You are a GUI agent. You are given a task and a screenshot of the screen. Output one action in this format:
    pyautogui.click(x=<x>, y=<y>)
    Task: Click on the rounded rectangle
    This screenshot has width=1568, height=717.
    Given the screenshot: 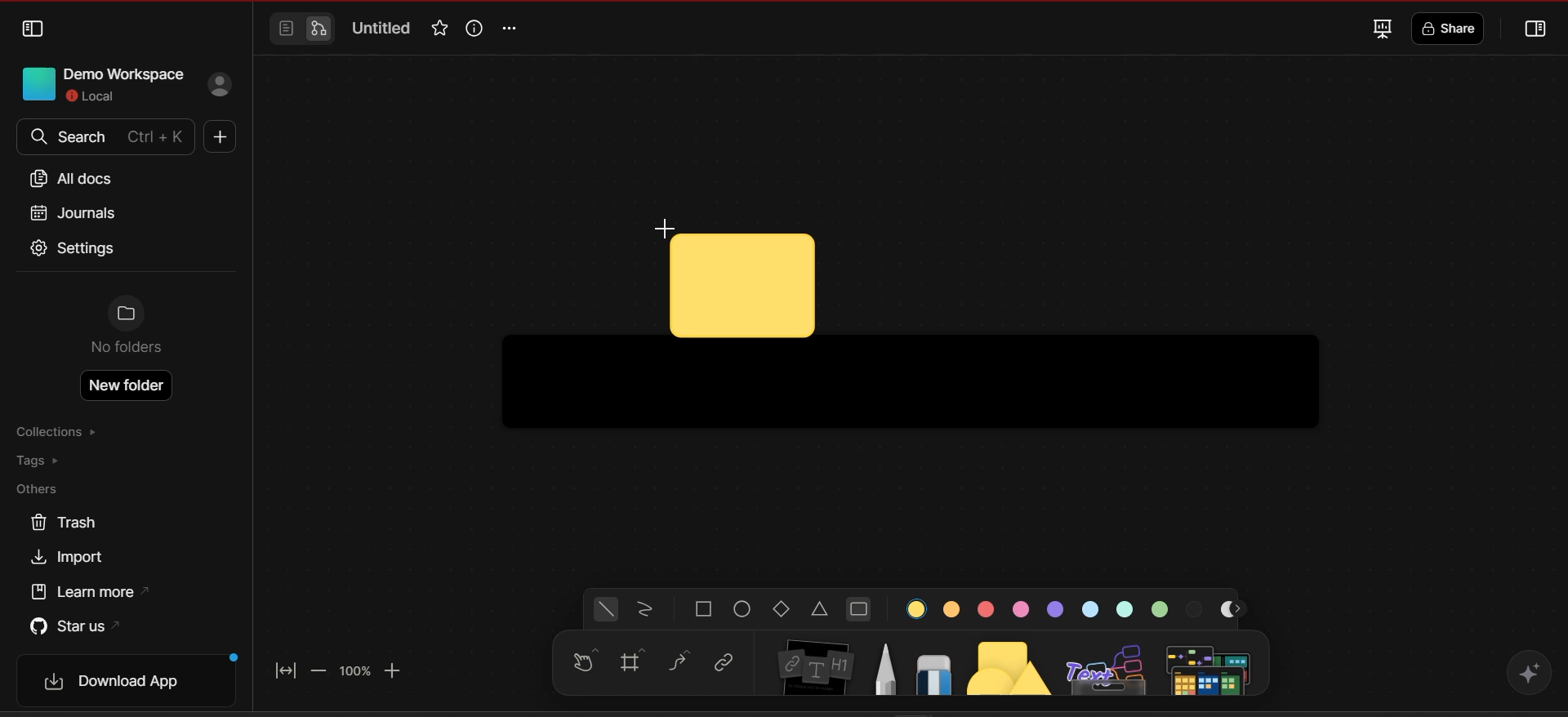 What is the action you would take?
    pyautogui.click(x=859, y=610)
    